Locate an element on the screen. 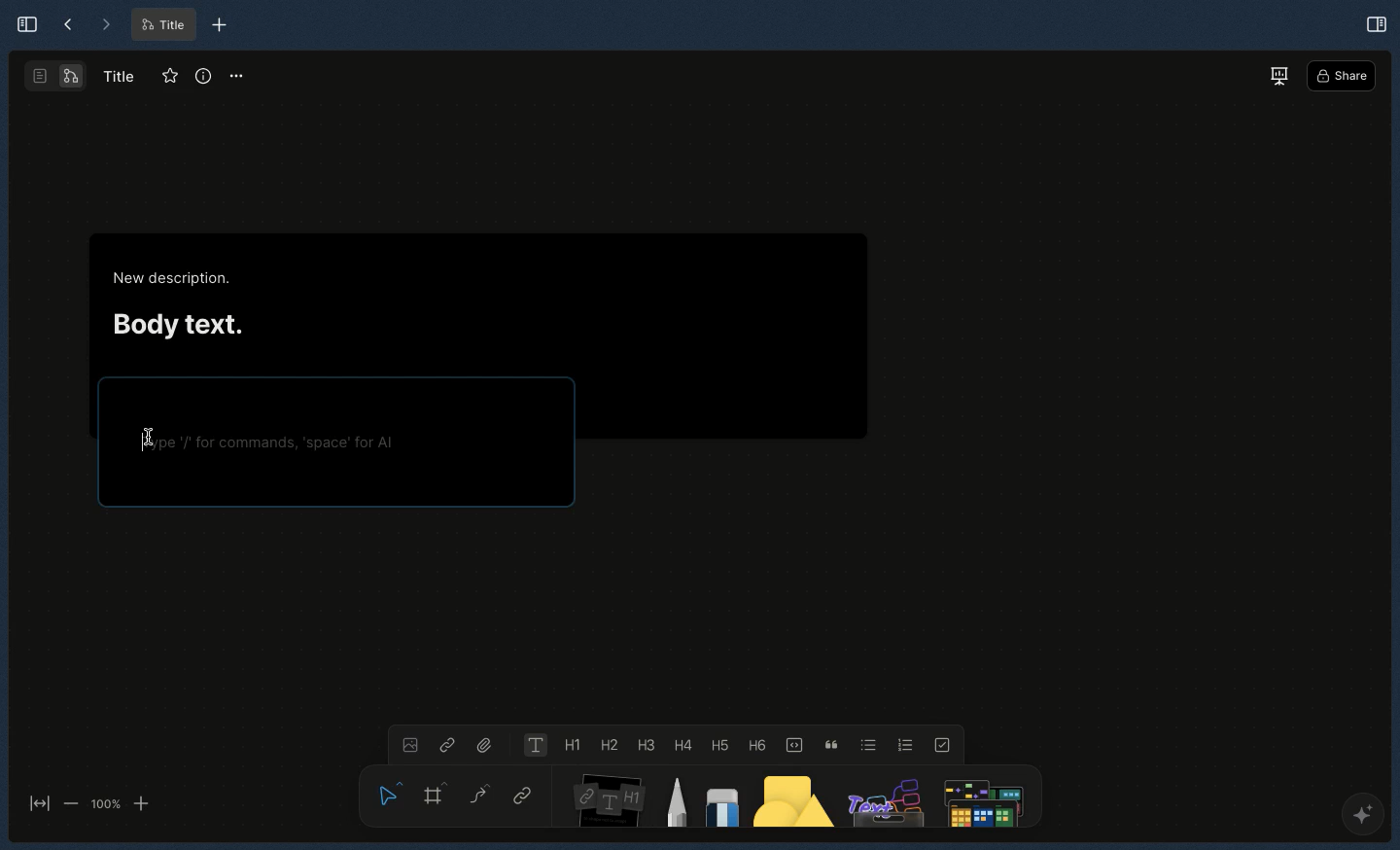 The width and height of the screenshot is (1400, 850). Heading 4 is located at coordinates (682, 745).